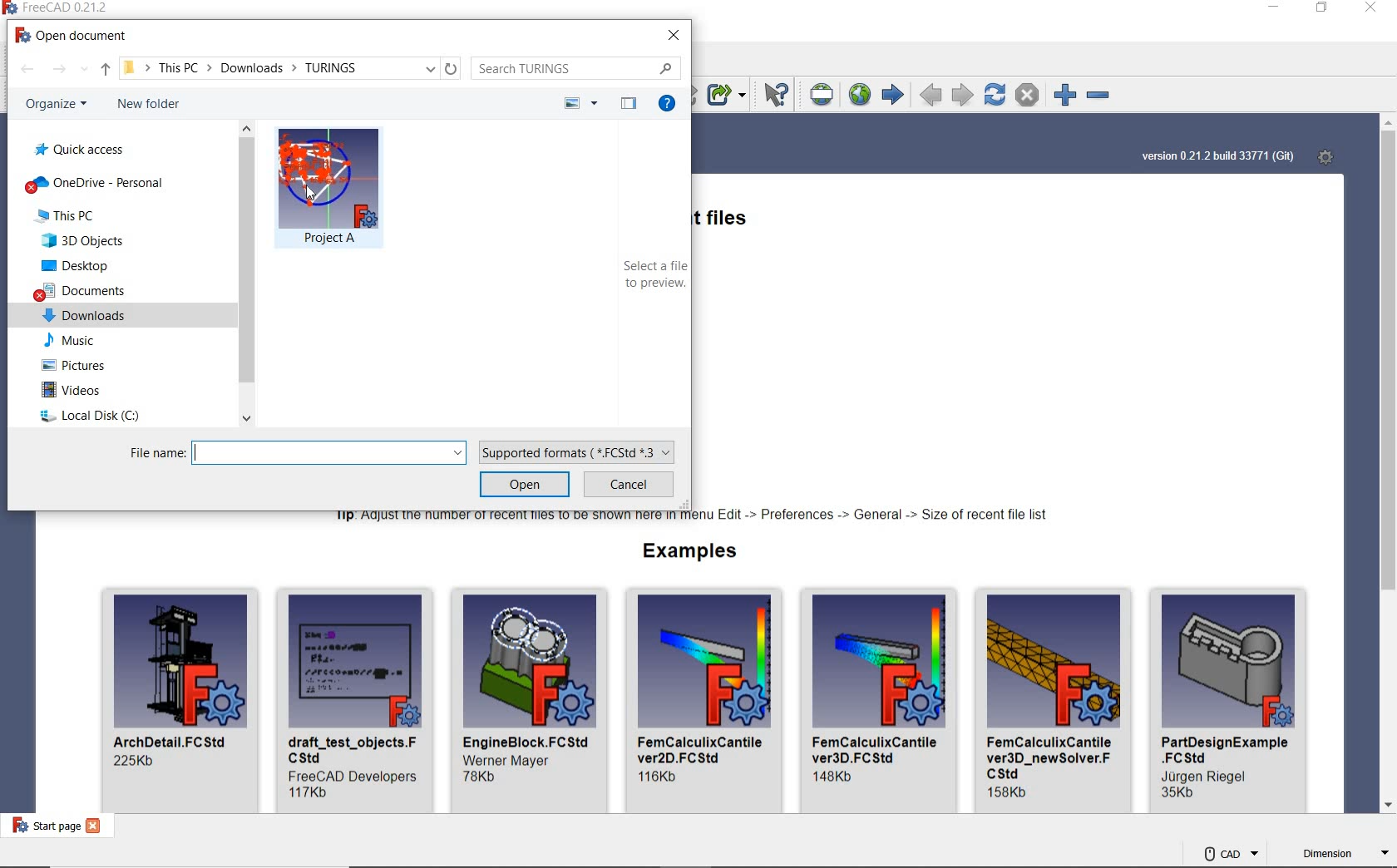 This screenshot has width=1397, height=868. Describe the element at coordinates (158, 452) in the screenshot. I see `File name:` at that location.